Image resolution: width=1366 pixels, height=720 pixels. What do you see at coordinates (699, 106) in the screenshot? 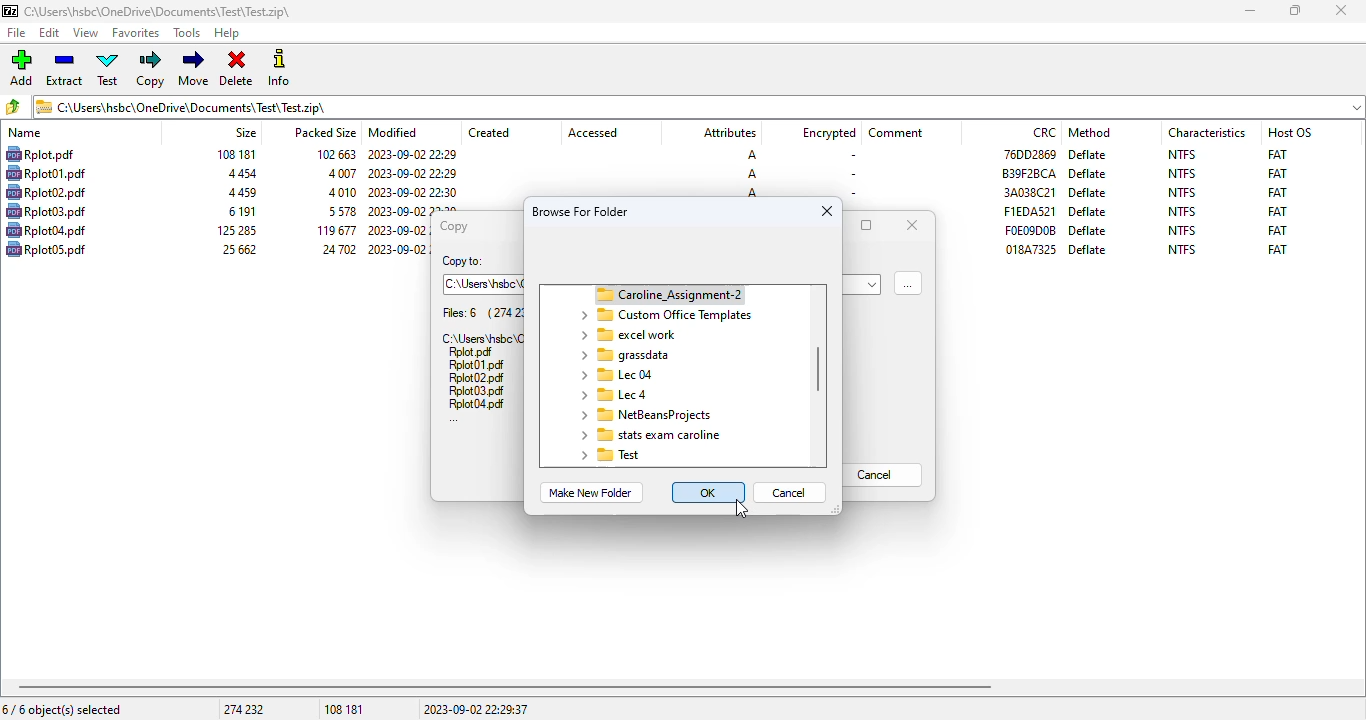
I see `.zip archive` at bounding box center [699, 106].